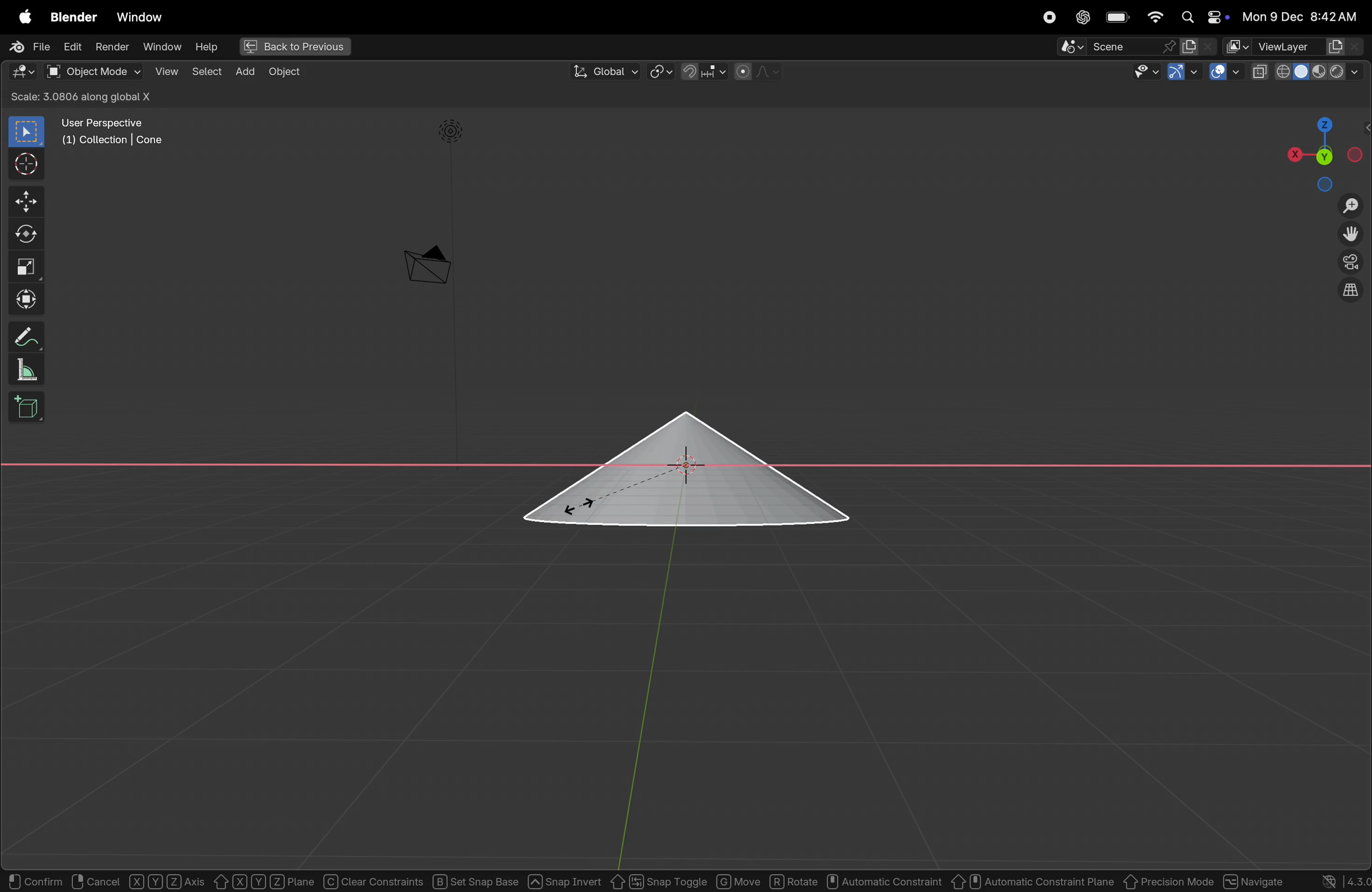 The height and width of the screenshot is (892, 1372). Describe the element at coordinates (1197, 46) in the screenshot. I see `new scene` at that location.